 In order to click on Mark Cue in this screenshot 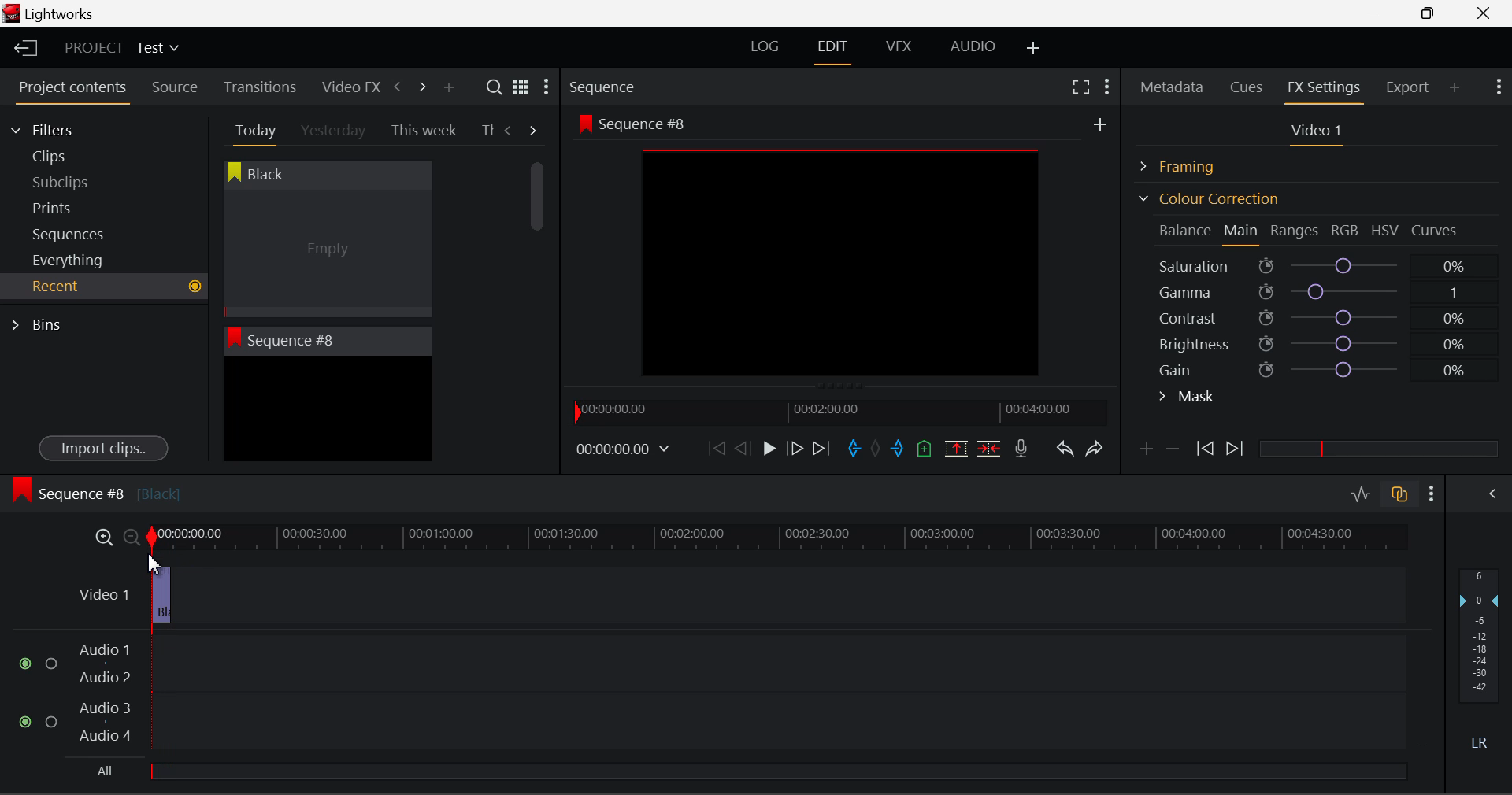, I will do `click(923, 449)`.